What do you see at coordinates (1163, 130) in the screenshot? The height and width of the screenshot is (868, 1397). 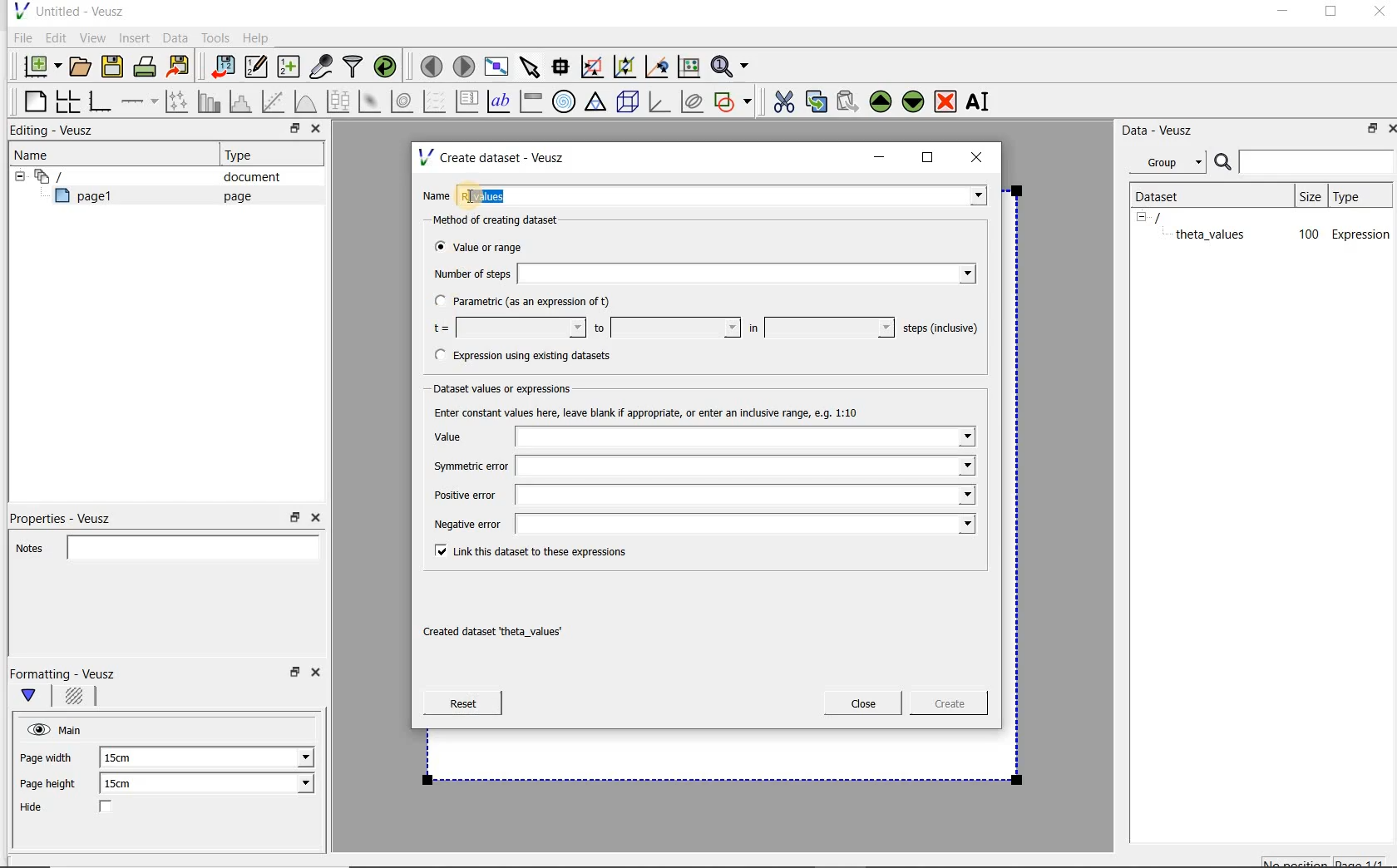 I see `Data - Veusz` at bounding box center [1163, 130].